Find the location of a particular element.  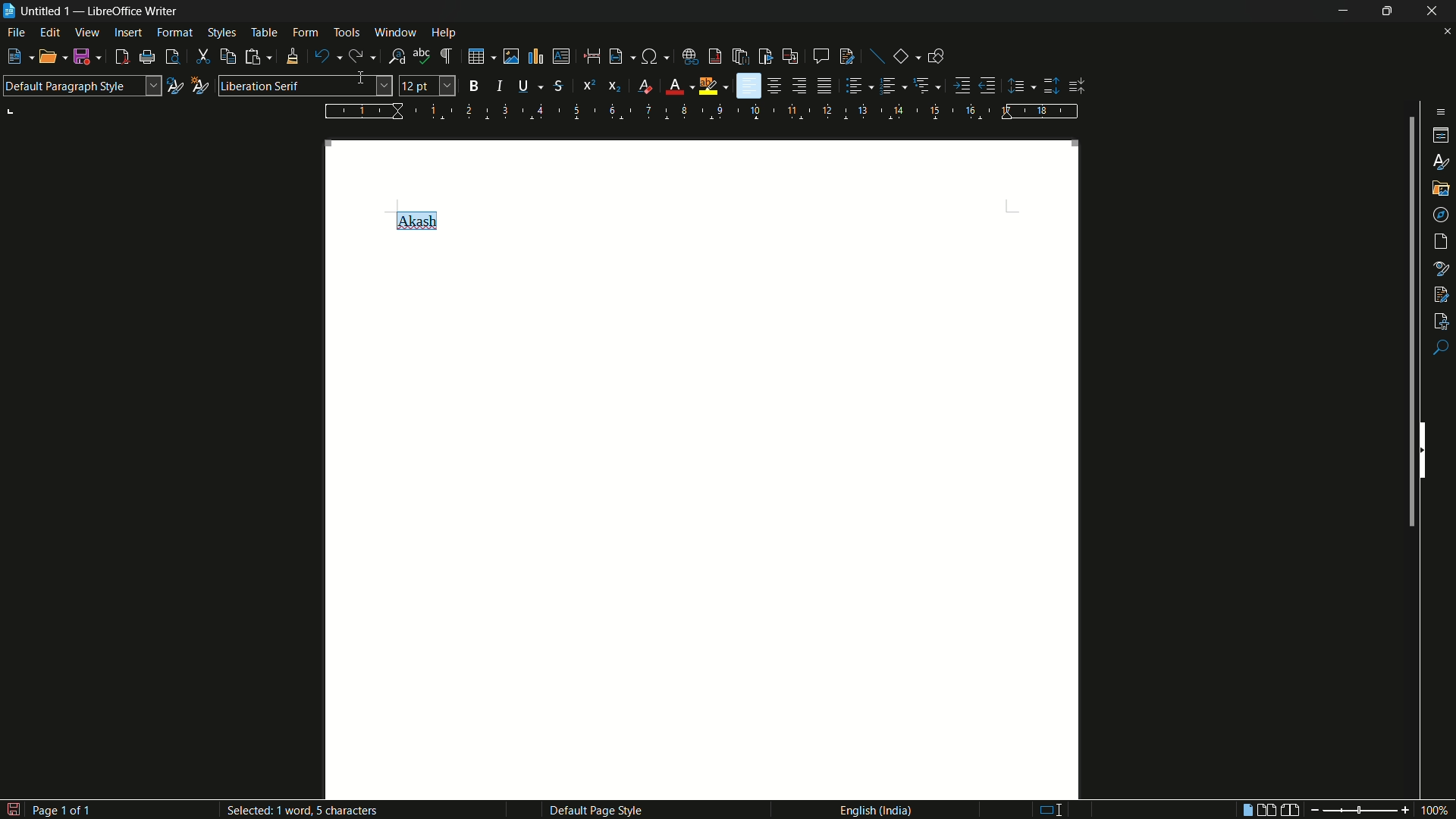

open file is located at coordinates (49, 58).